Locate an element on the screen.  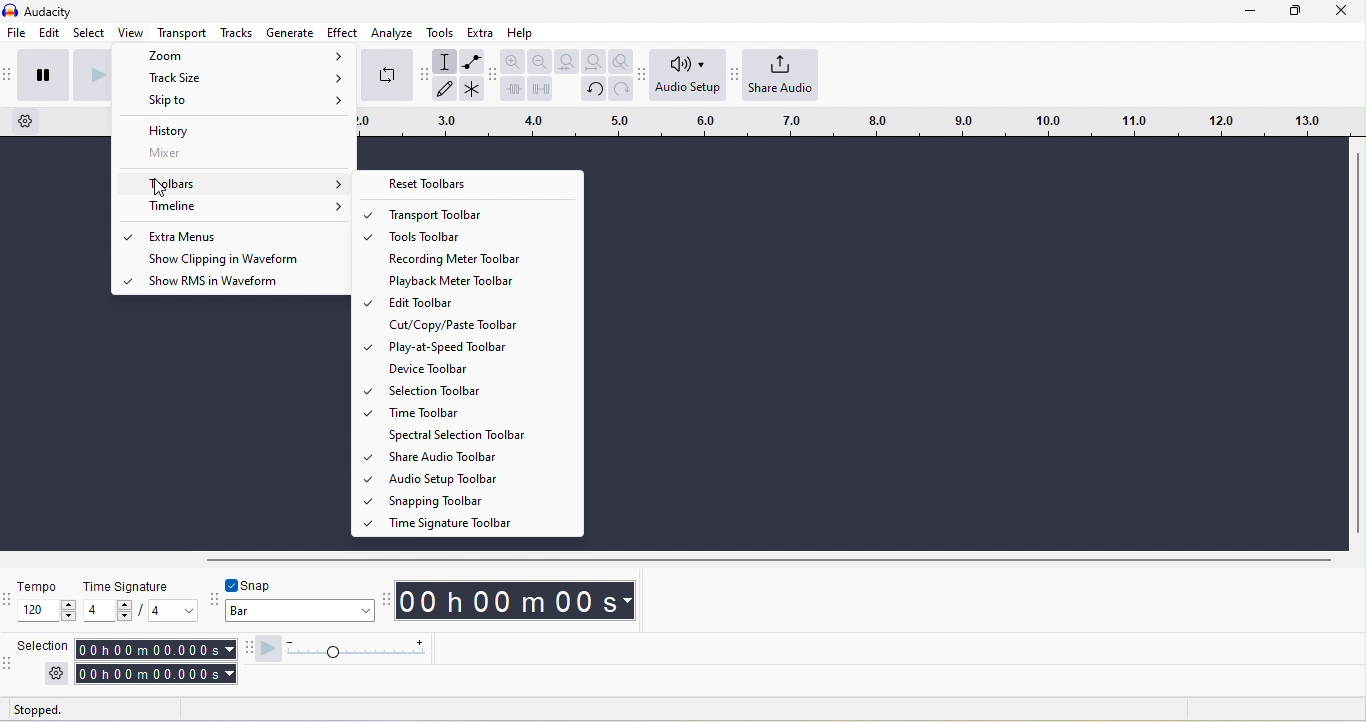
fit project to width is located at coordinates (595, 61).